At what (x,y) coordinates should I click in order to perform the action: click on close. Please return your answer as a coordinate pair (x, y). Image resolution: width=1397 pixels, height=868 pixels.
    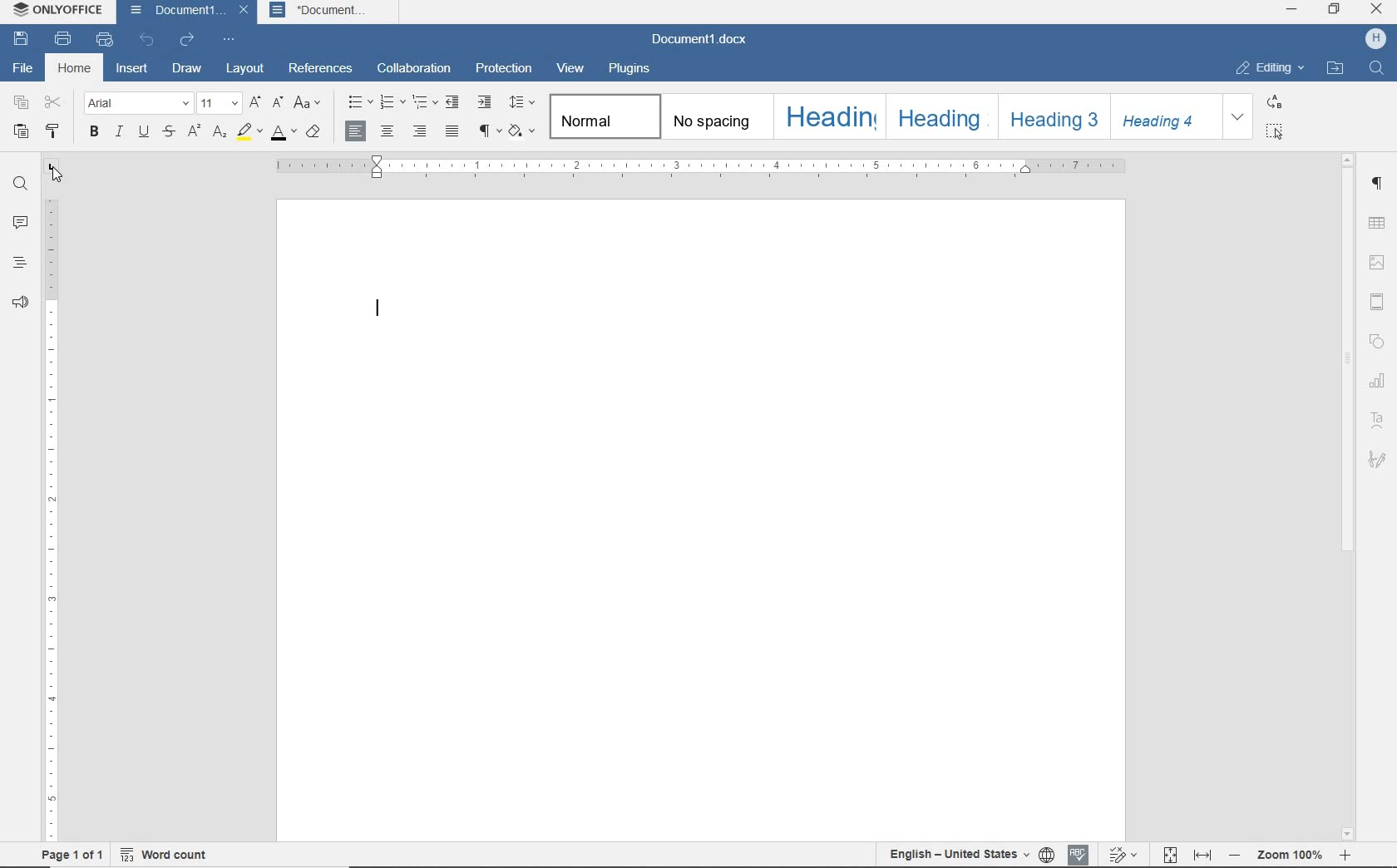
    Looking at the image, I should click on (244, 11).